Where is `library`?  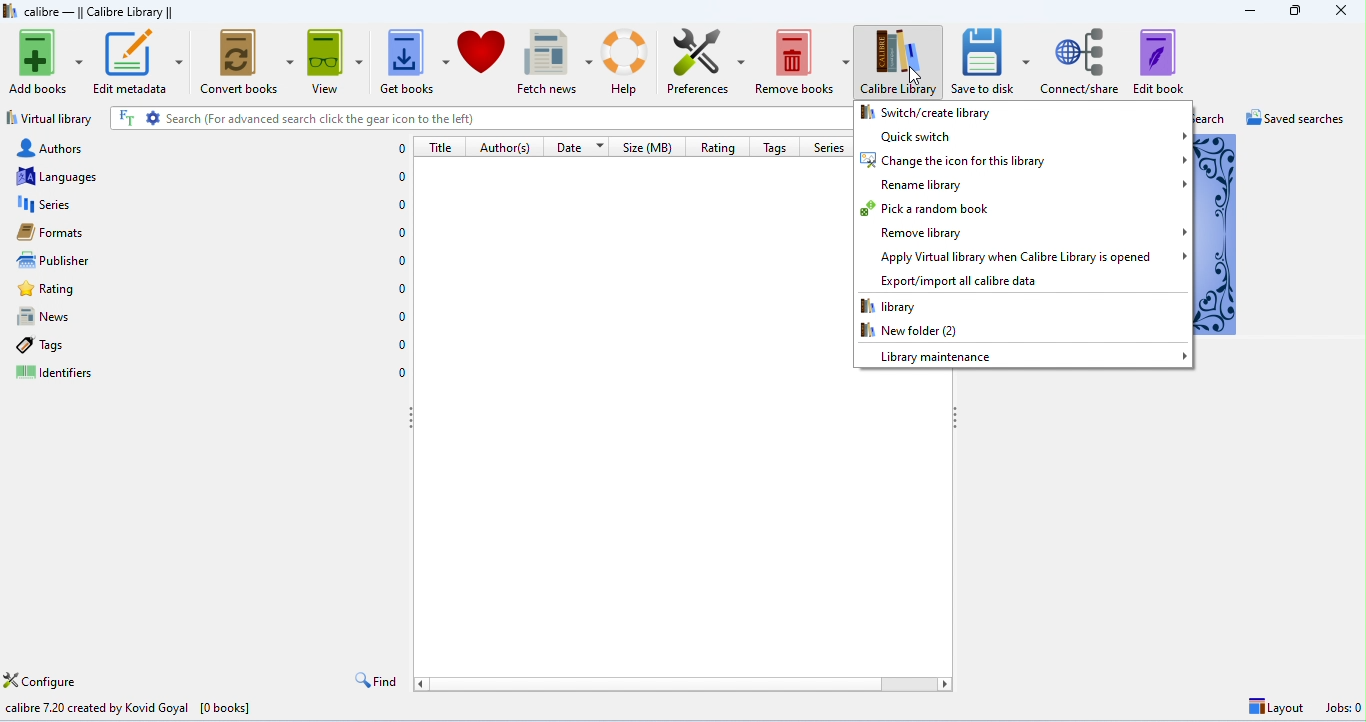 library is located at coordinates (1020, 307).